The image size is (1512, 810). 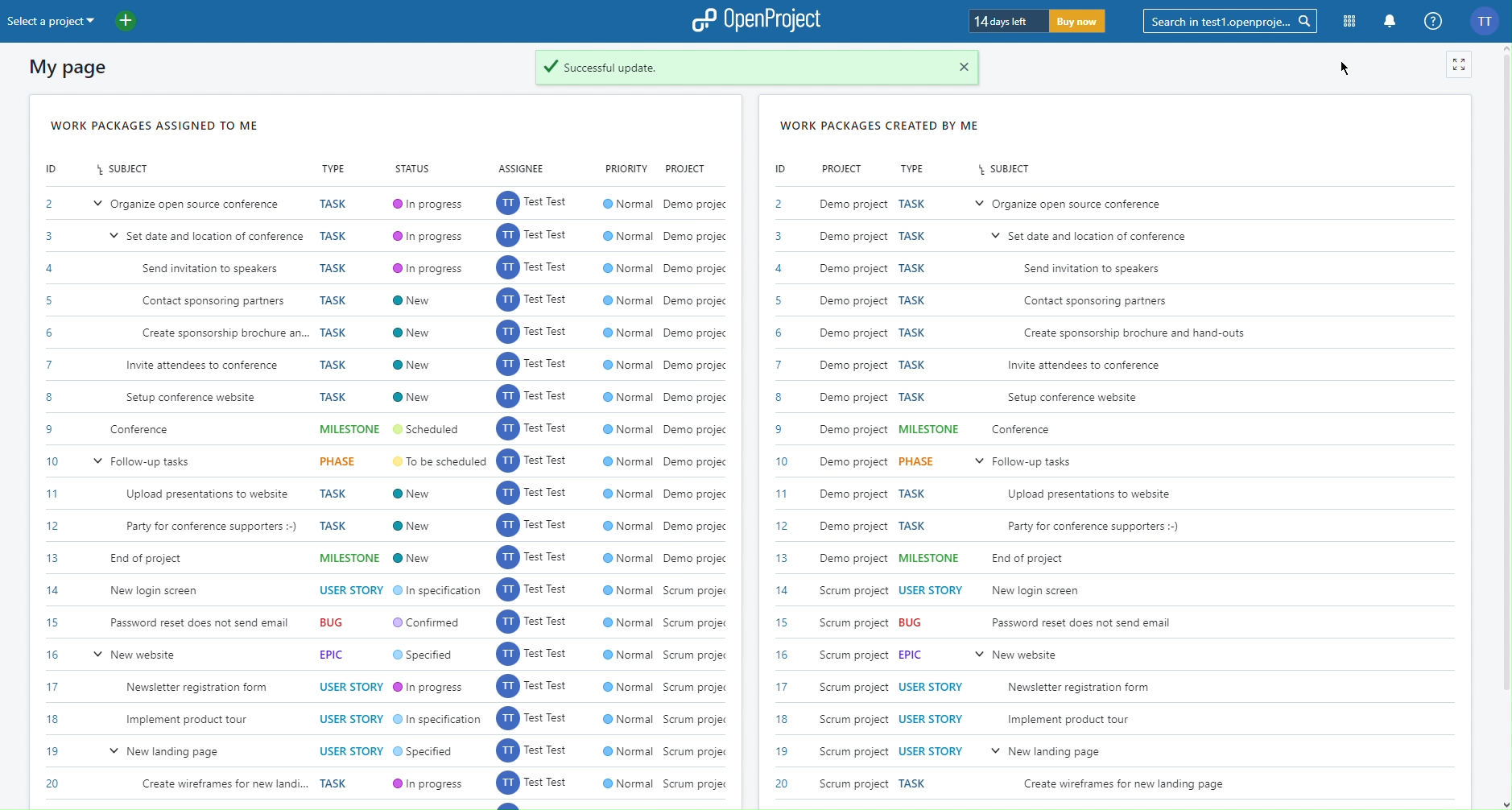 I want to click on Subject names, so click(x=1117, y=494).